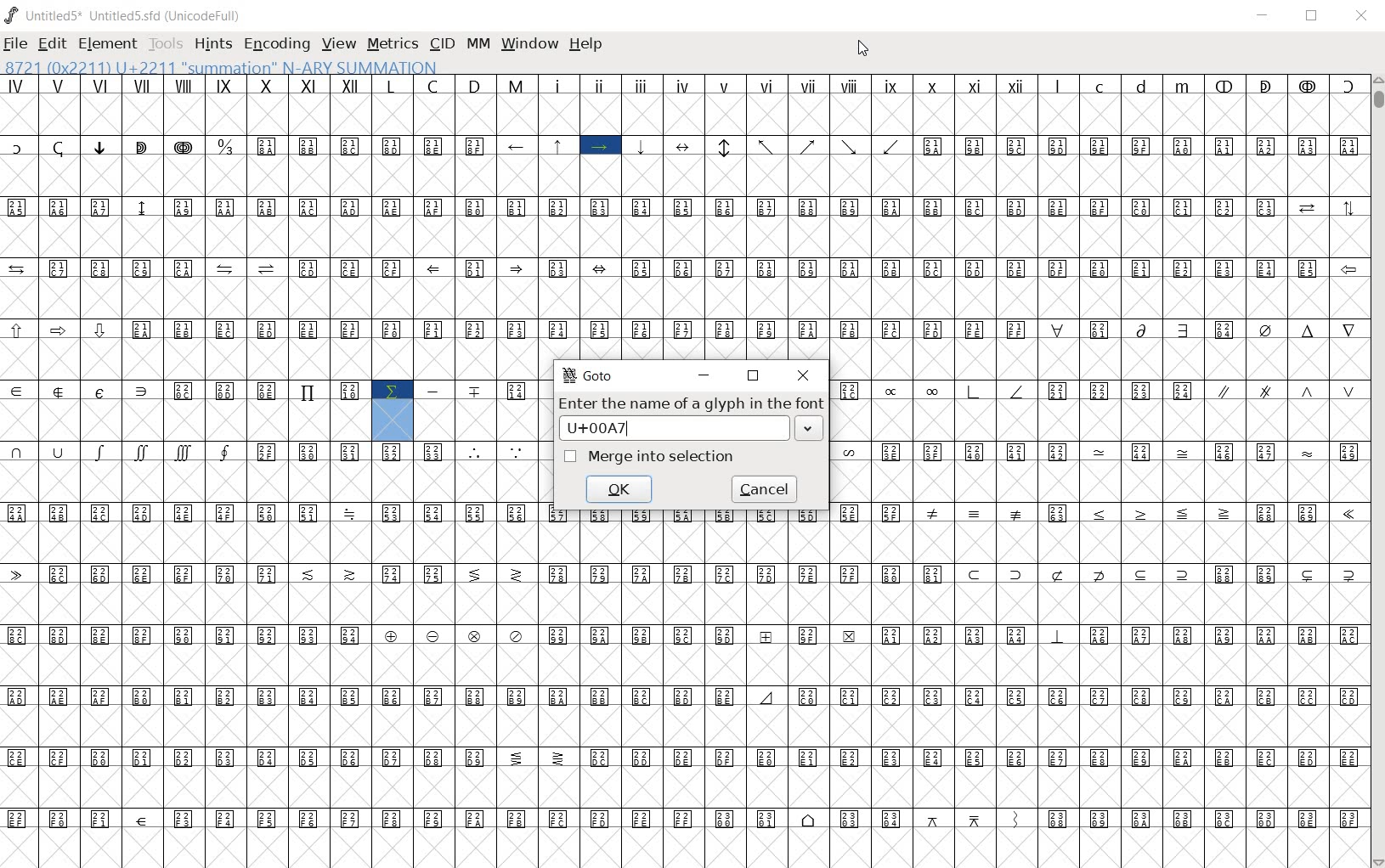 This screenshot has width=1385, height=868. What do you see at coordinates (1312, 17) in the screenshot?
I see `RESTORE DOWN` at bounding box center [1312, 17].